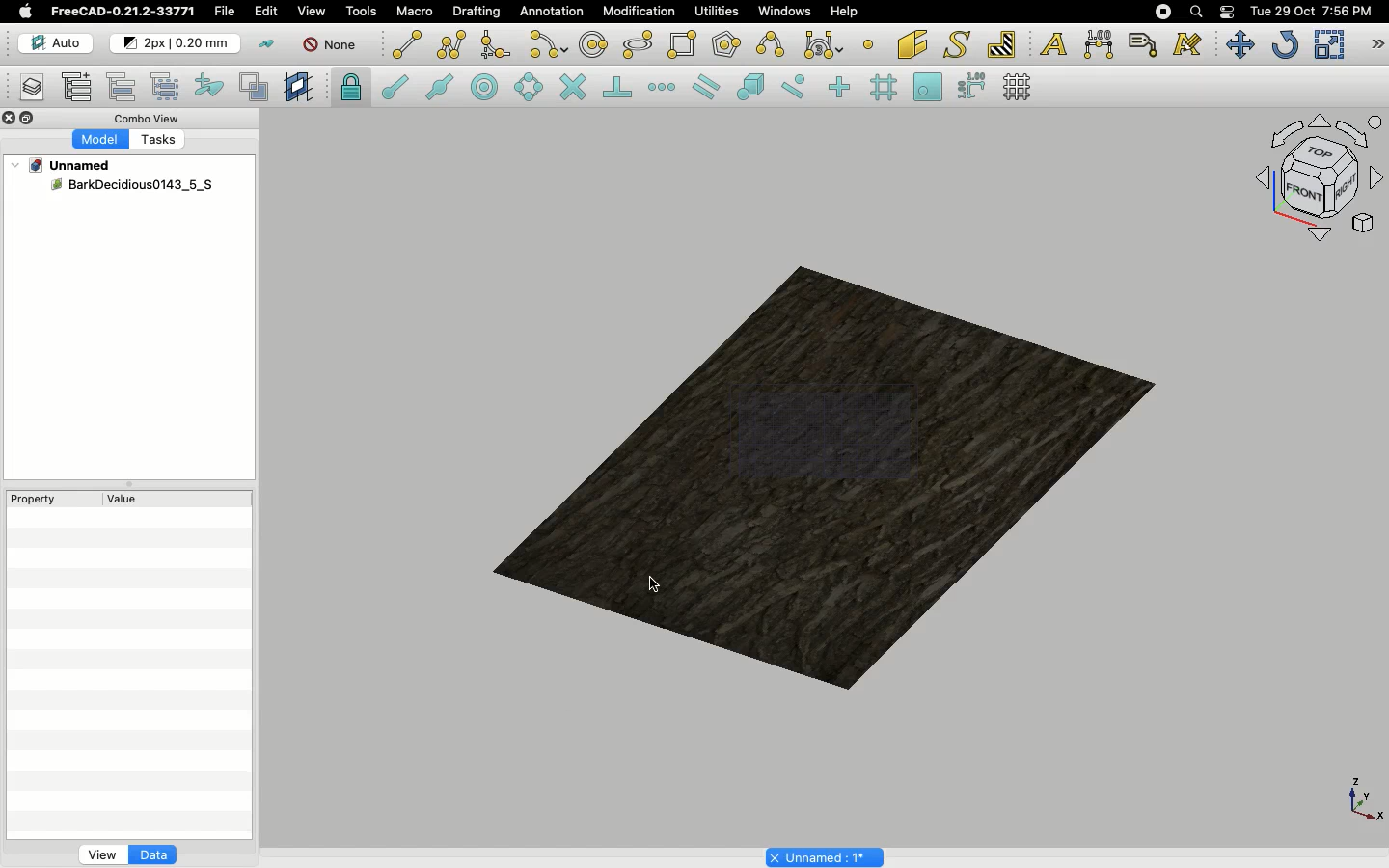 The image size is (1389, 868). Describe the element at coordinates (728, 47) in the screenshot. I see `Polygon` at that location.